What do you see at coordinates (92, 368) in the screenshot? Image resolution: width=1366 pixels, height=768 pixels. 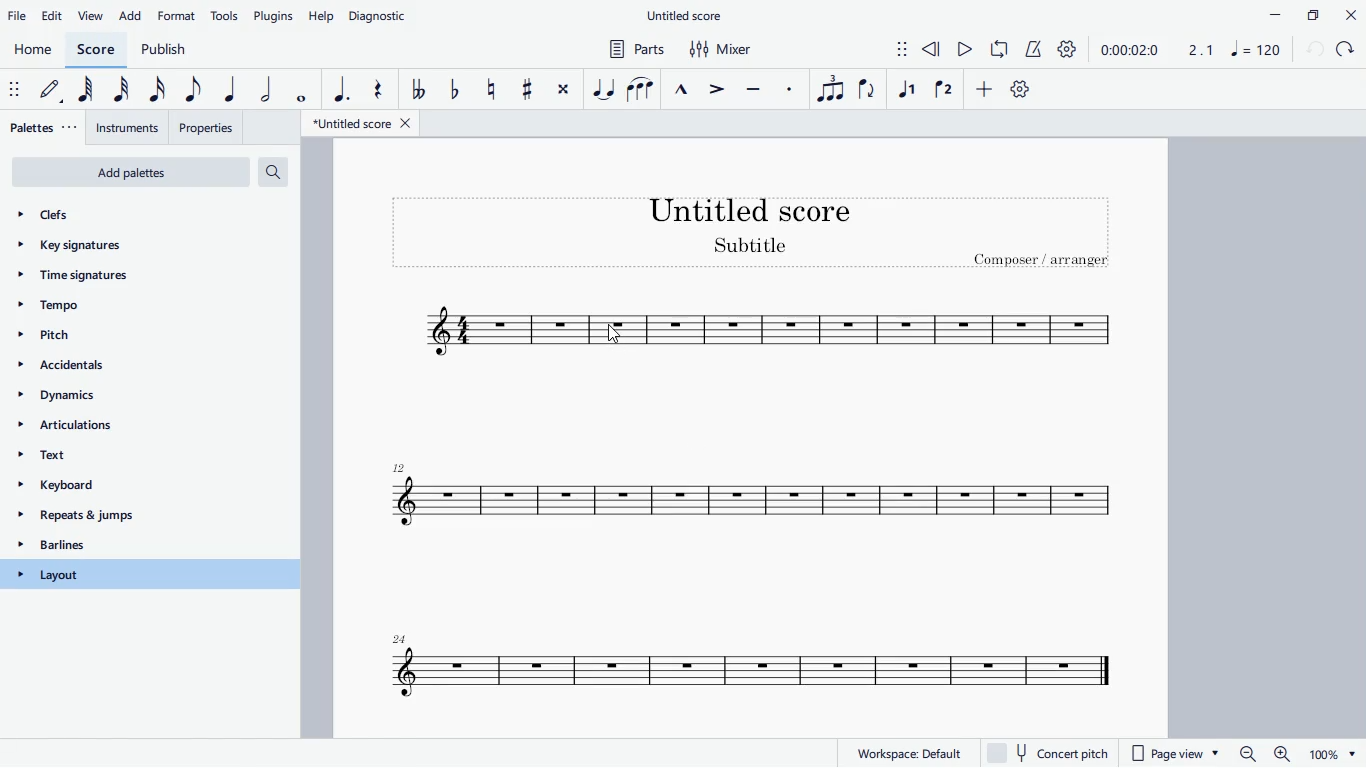 I see `accidentals` at bounding box center [92, 368].